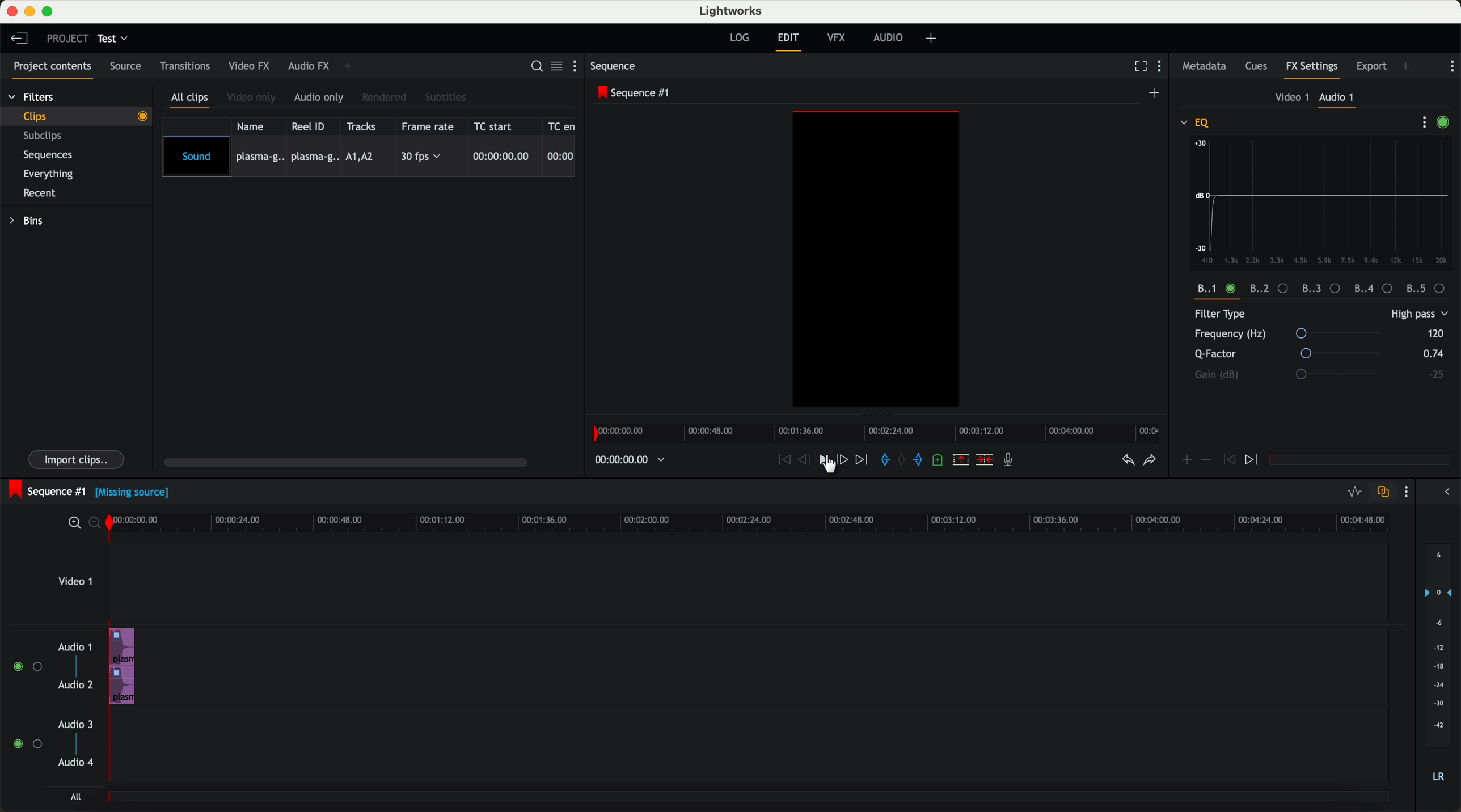 This screenshot has height=812, width=1461. I want to click on TC start, so click(498, 126).